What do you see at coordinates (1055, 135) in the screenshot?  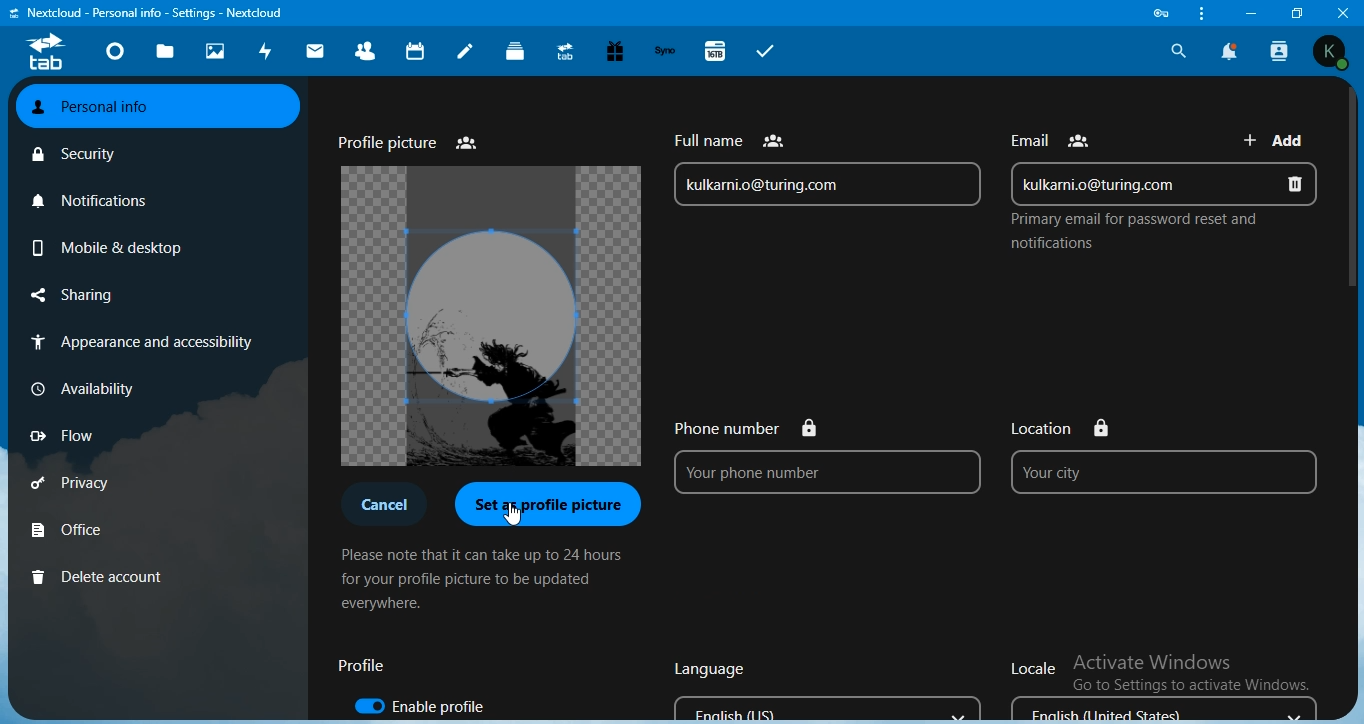 I see `text` at bounding box center [1055, 135].